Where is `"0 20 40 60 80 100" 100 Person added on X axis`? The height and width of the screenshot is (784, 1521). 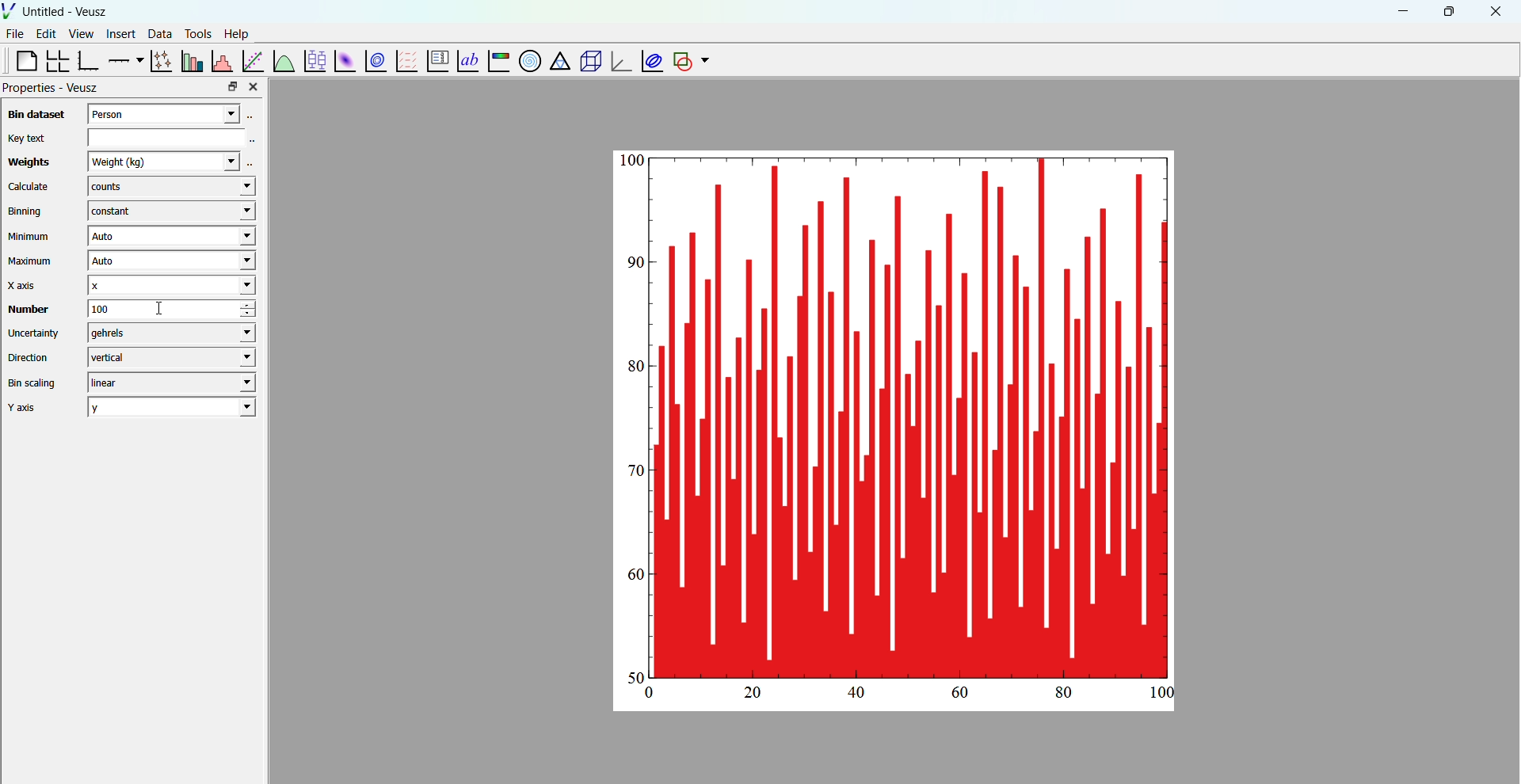
"0 20 40 60 80 100" 100 Person added on X axis is located at coordinates (907, 696).